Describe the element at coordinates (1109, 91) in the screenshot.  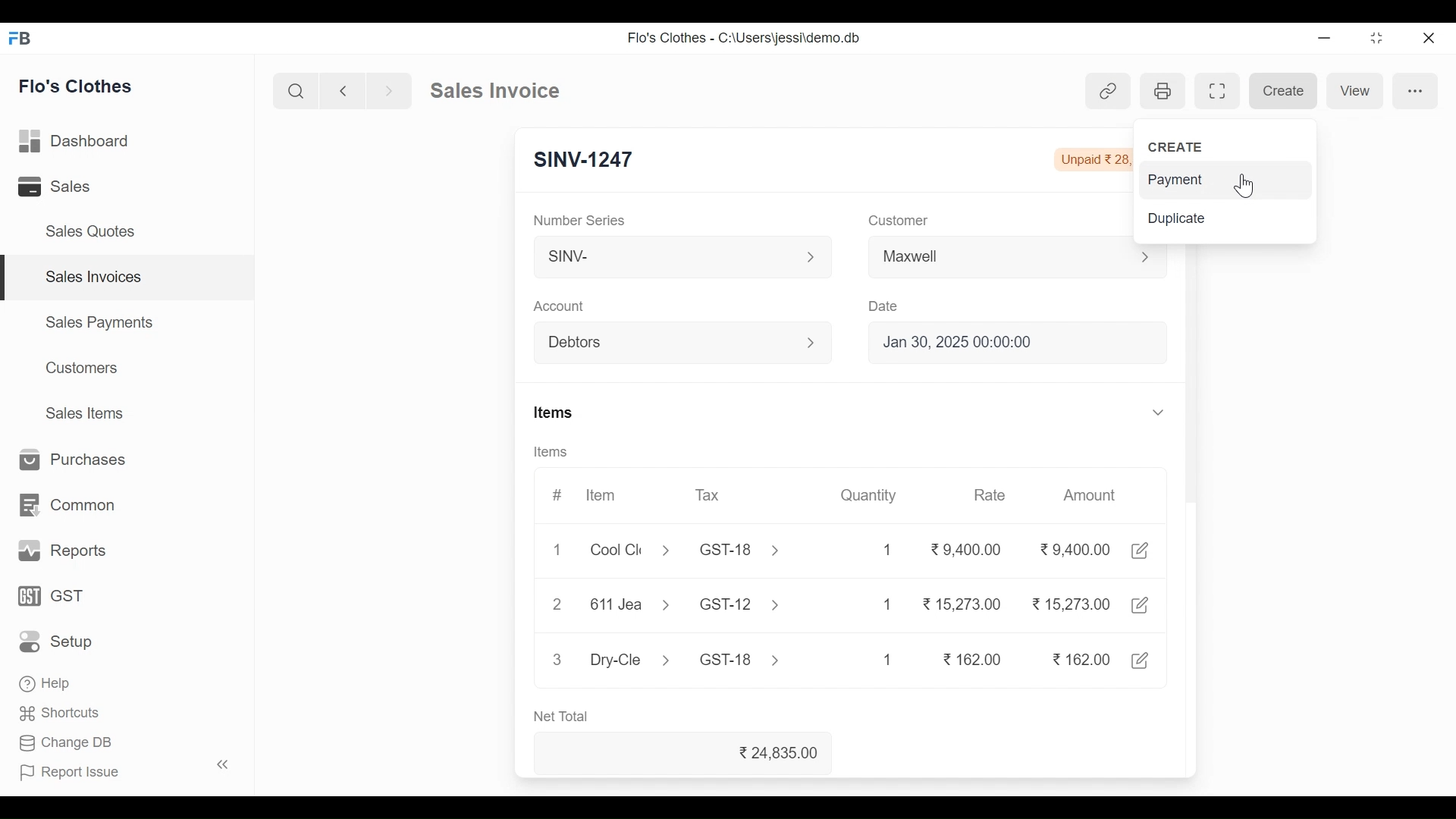
I see `View link references` at that location.